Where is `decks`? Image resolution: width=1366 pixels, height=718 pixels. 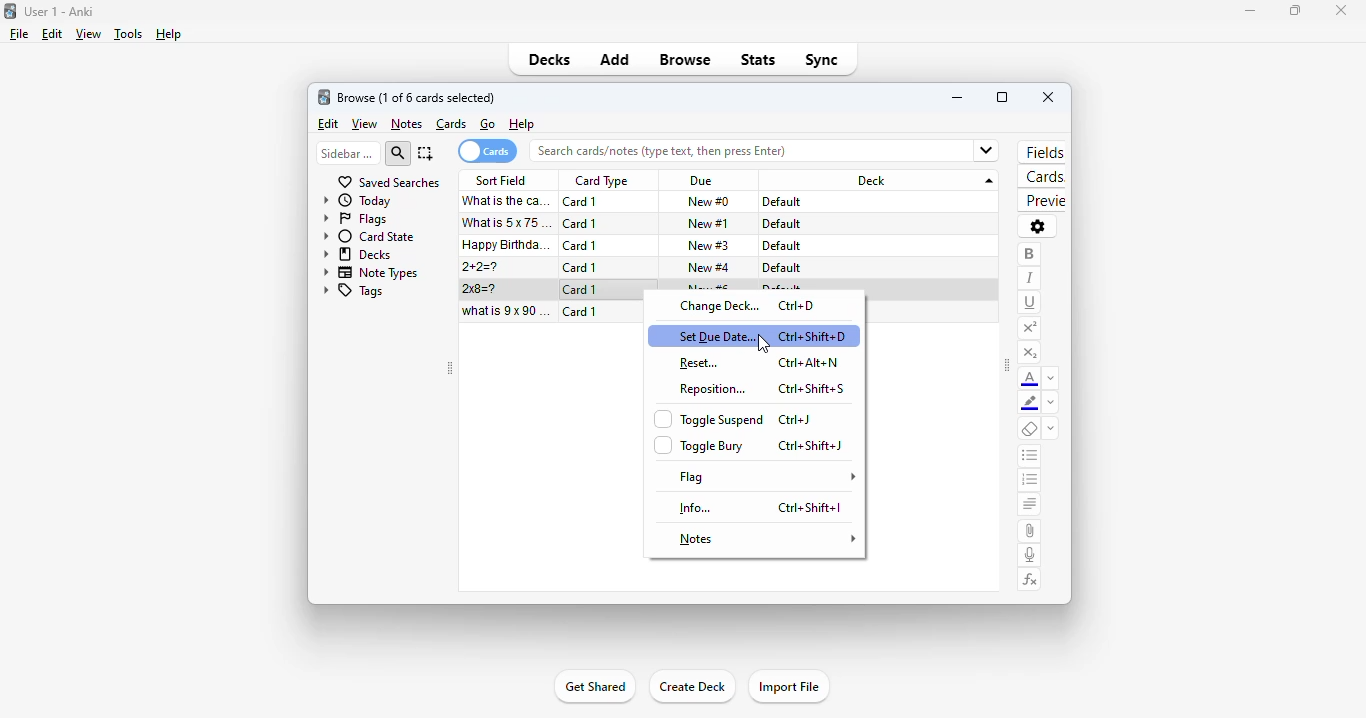
decks is located at coordinates (550, 59).